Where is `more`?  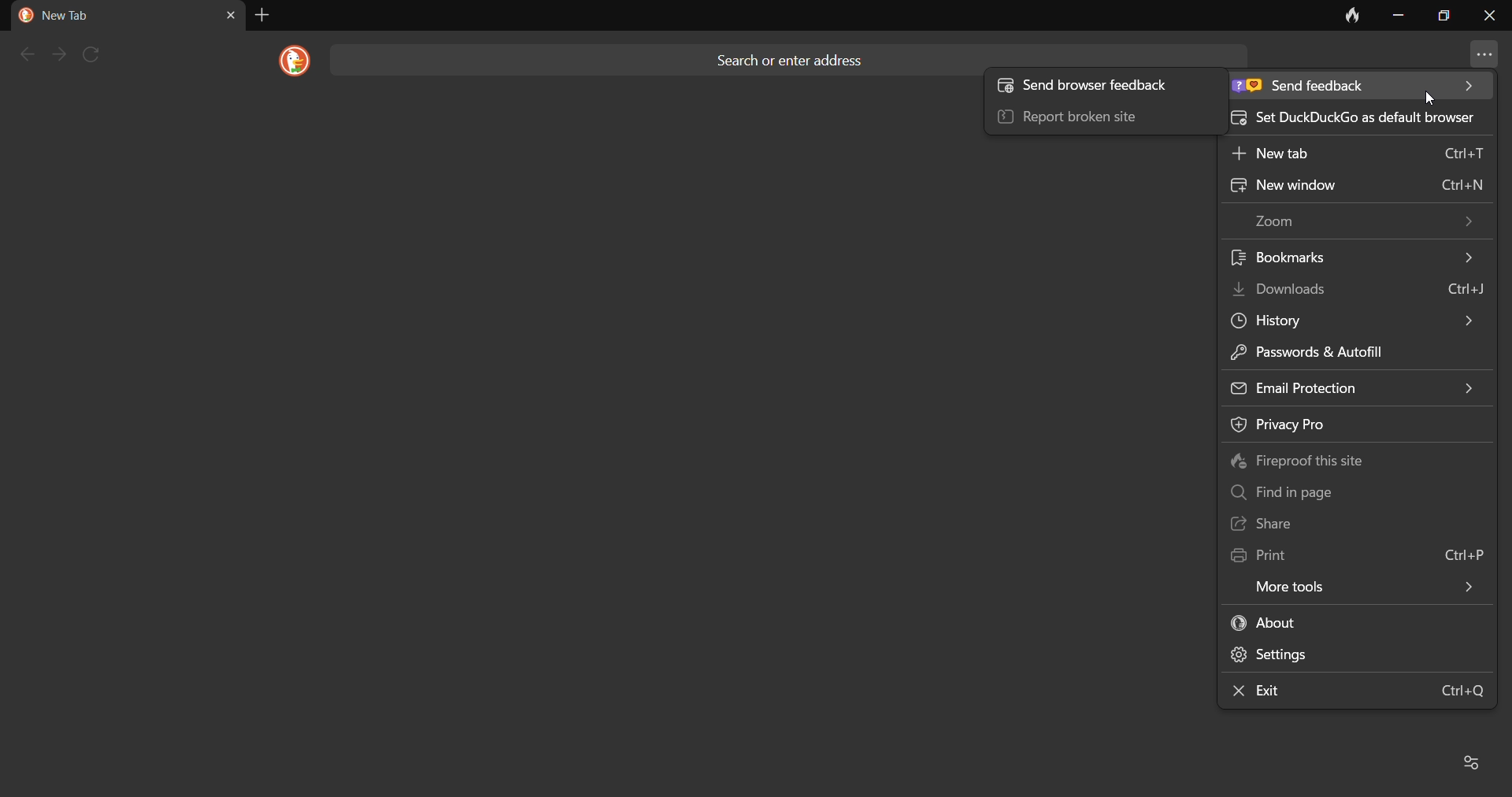
more is located at coordinates (1476, 57).